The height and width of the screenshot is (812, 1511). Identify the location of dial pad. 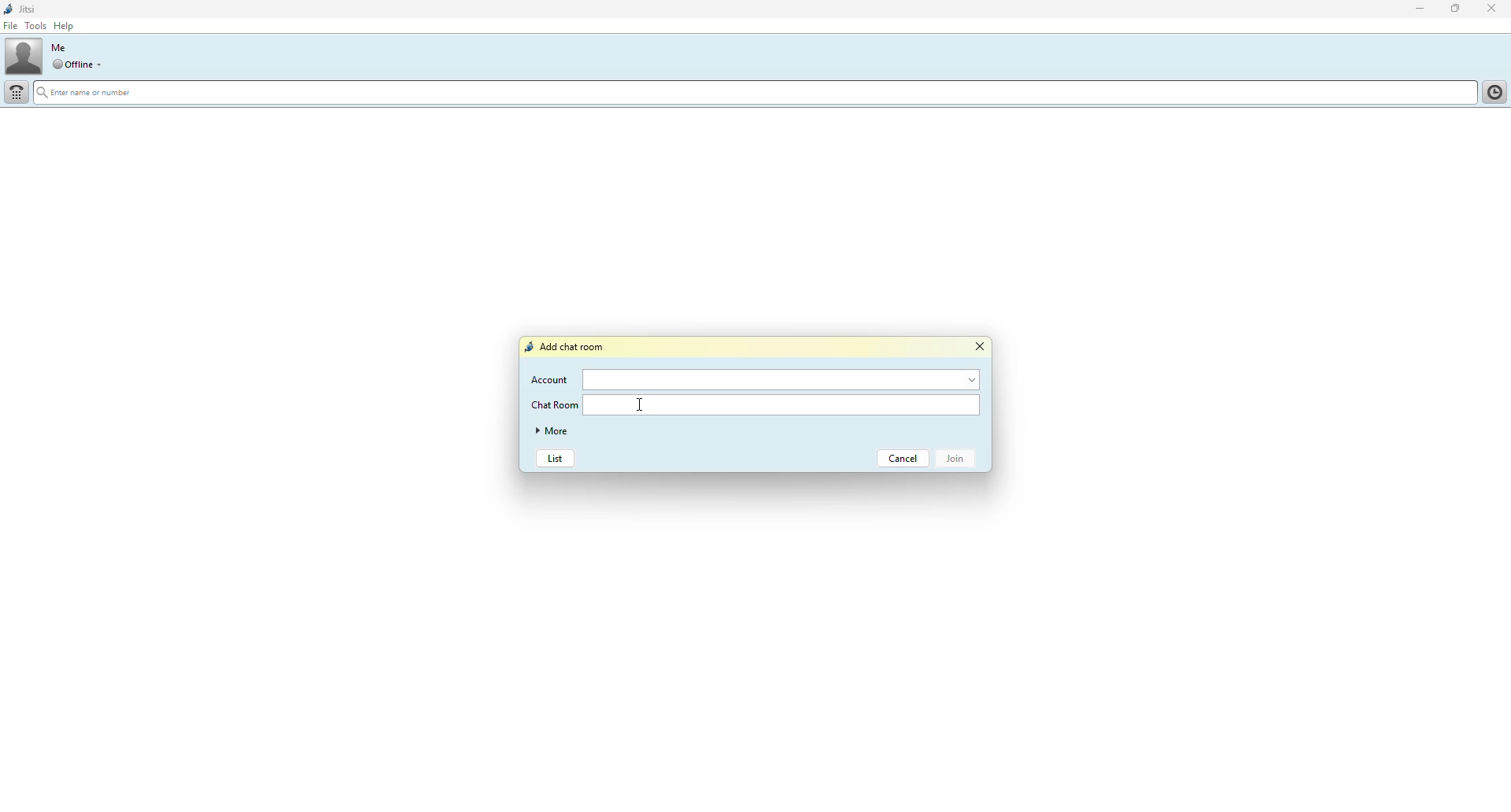
(17, 92).